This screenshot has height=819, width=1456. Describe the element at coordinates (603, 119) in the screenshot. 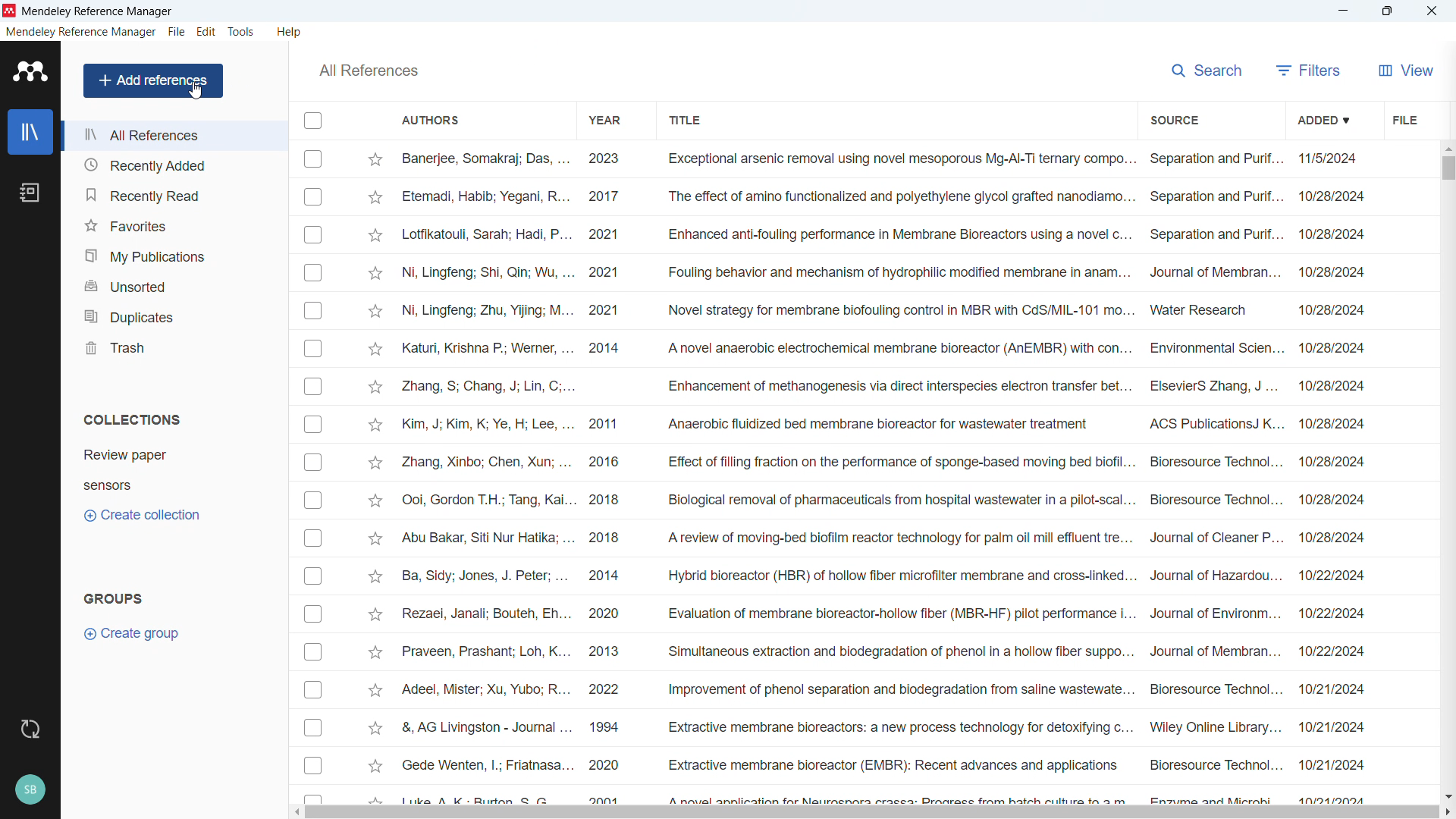

I see `Sort by year of publication ` at that location.